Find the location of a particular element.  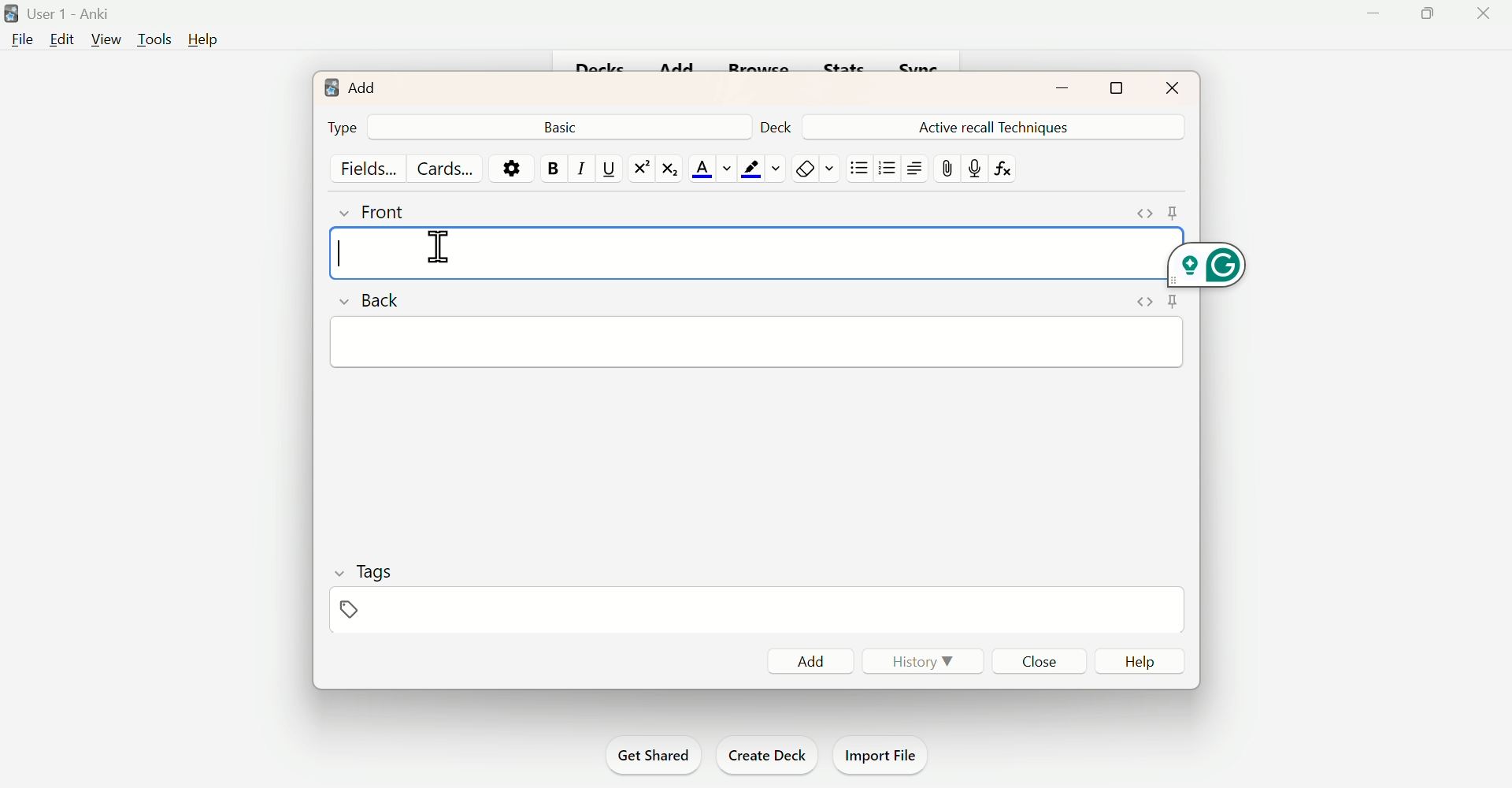

User 1 - Anki is located at coordinates (75, 13).